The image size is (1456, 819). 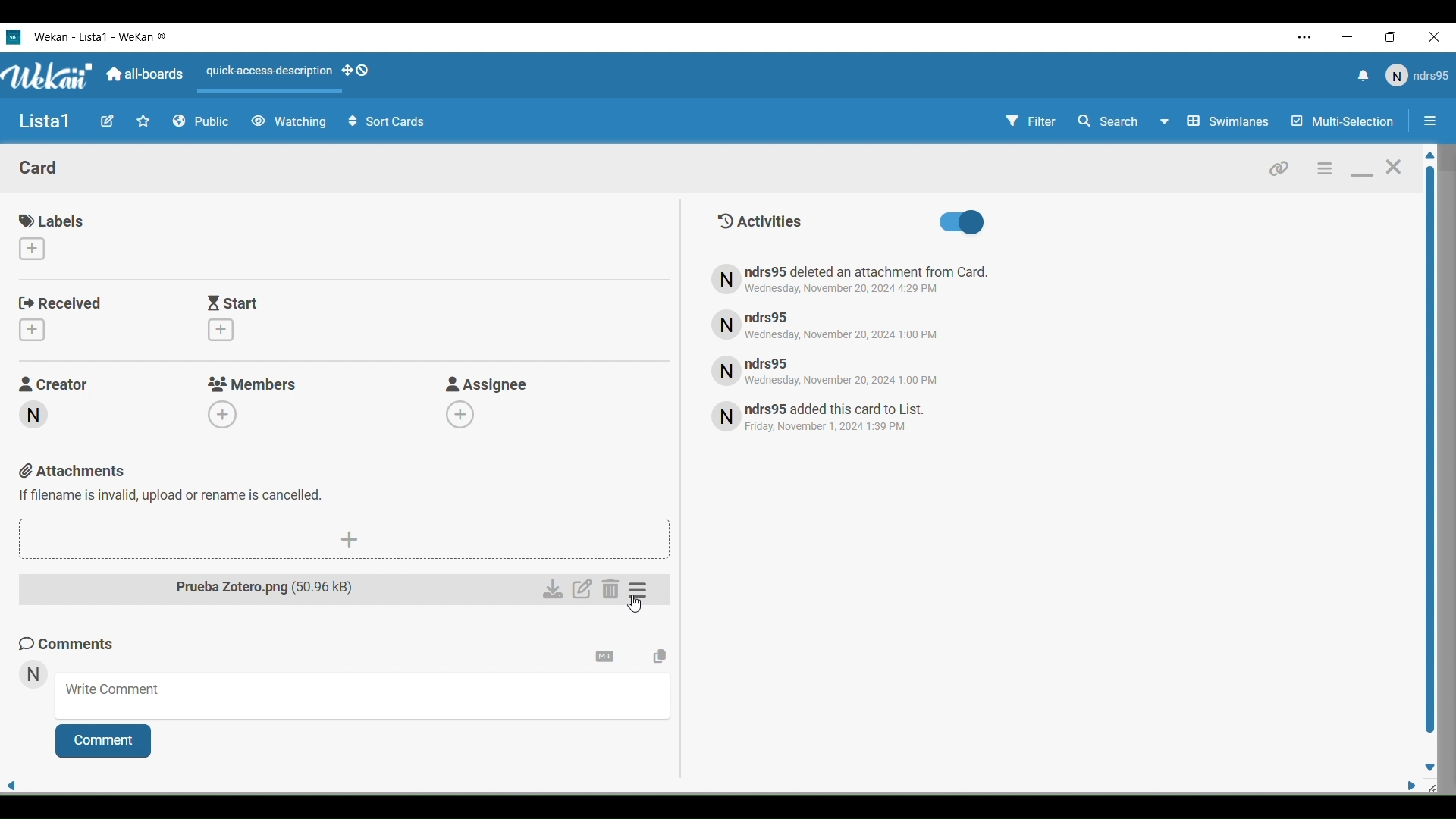 I want to click on Comment, so click(x=104, y=741).